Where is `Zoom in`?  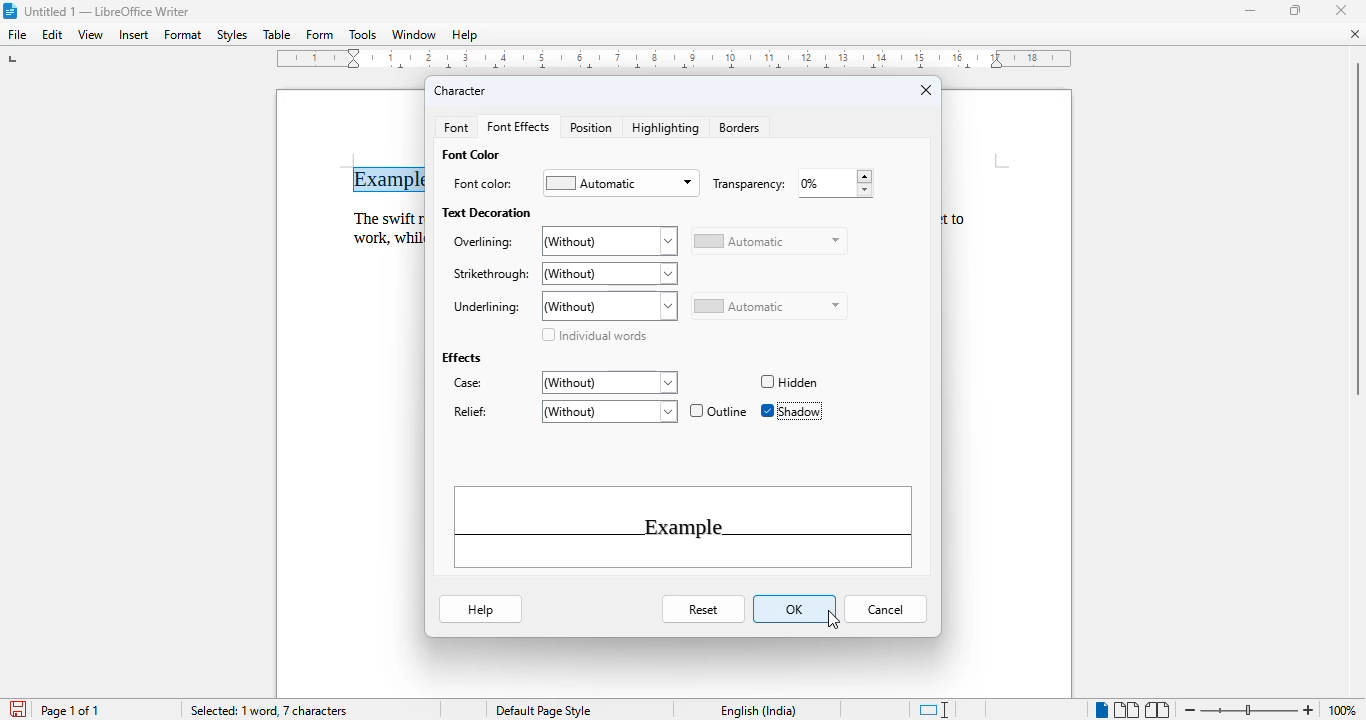 Zoom in is located at coordinates (1310, 707).